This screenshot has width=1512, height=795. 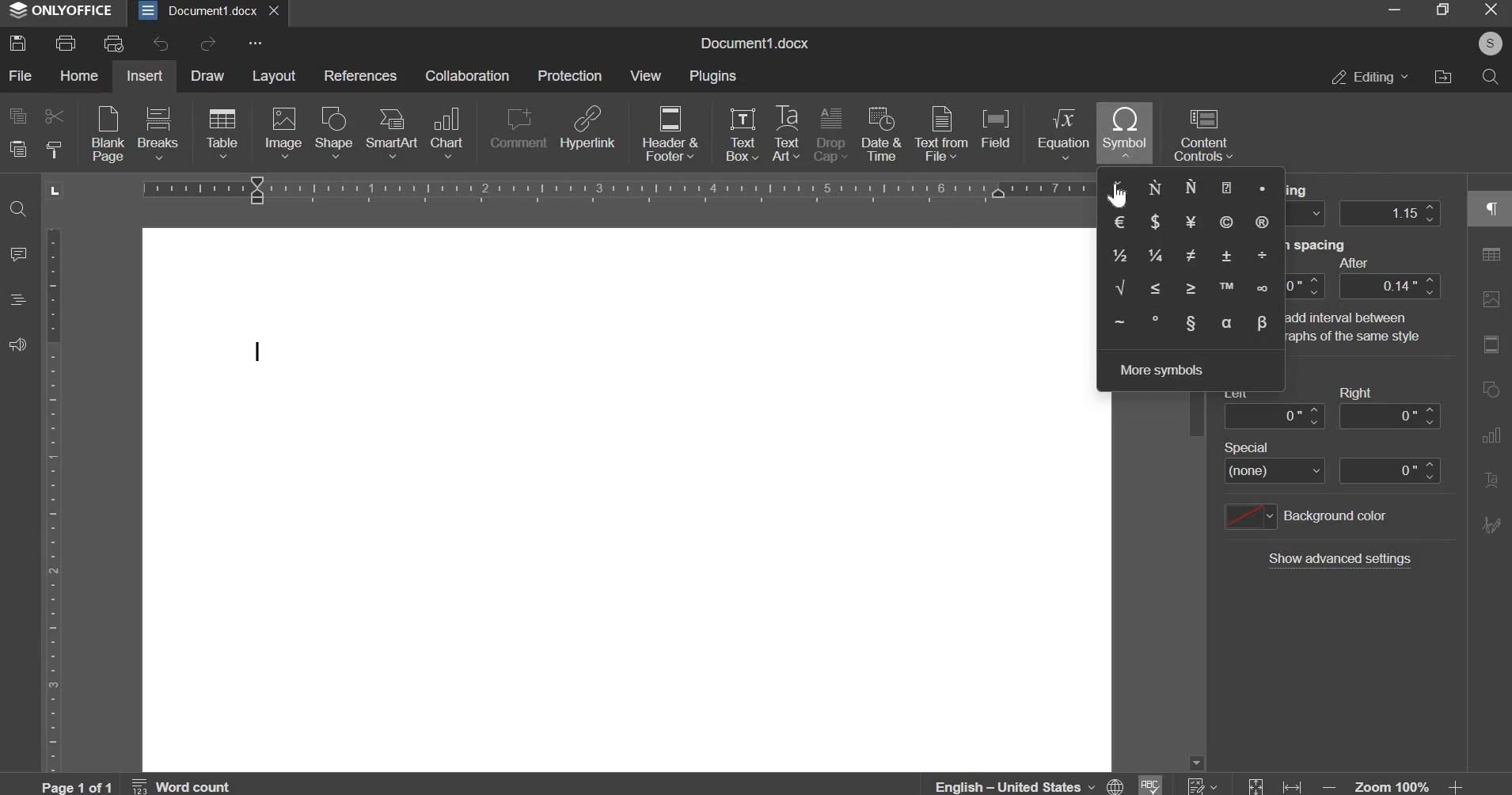 What do you see at coordinates (1191, 257) in the screenshot?
I see `symbols` at bounding box center [1191, 257].